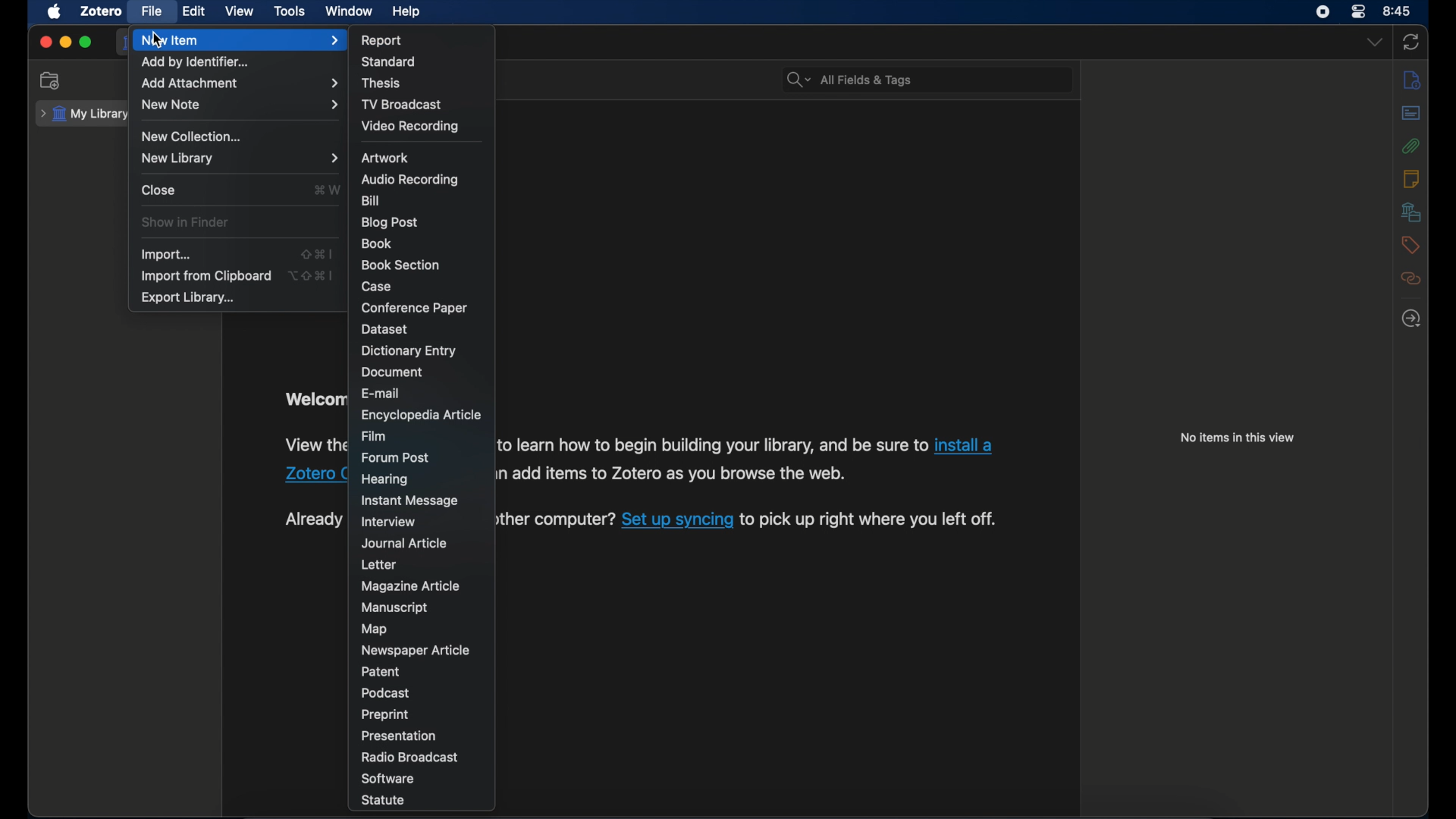 The width and height of the screenshot is (1456, 819). What do you see at coordinates (206, 276) in the screenshot?
I see `import from clipboard` at bounding box center [206, 276].